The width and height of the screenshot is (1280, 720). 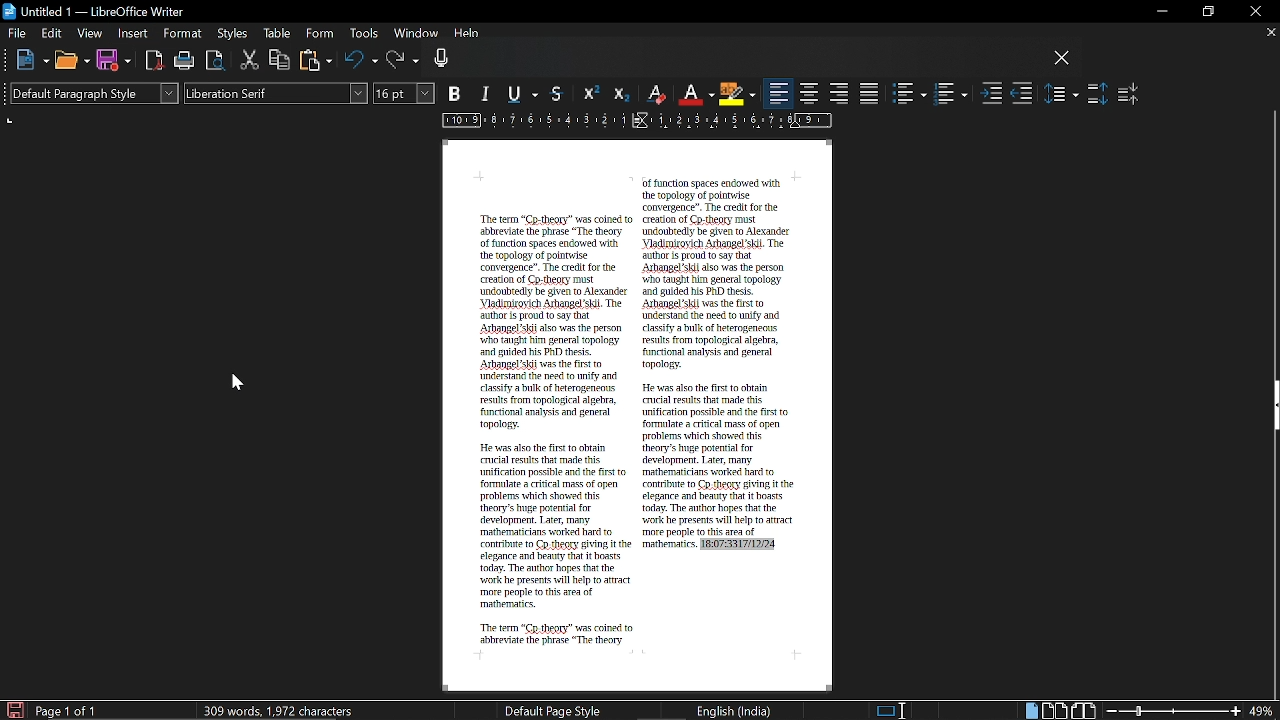 What do you see at coordinates (113, 61) in the screenshot?
I see `Save` at bounding box center [113, 61].